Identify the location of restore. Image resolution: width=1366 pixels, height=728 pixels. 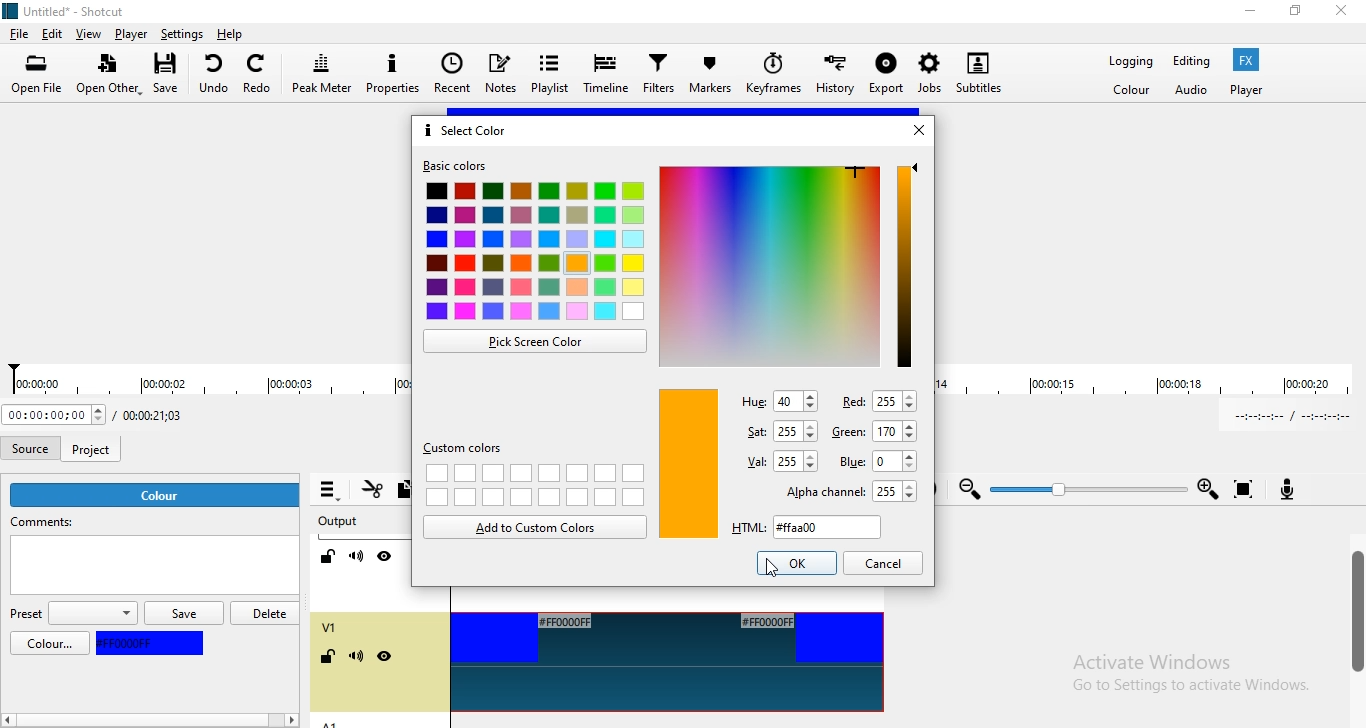
(1294, 15).